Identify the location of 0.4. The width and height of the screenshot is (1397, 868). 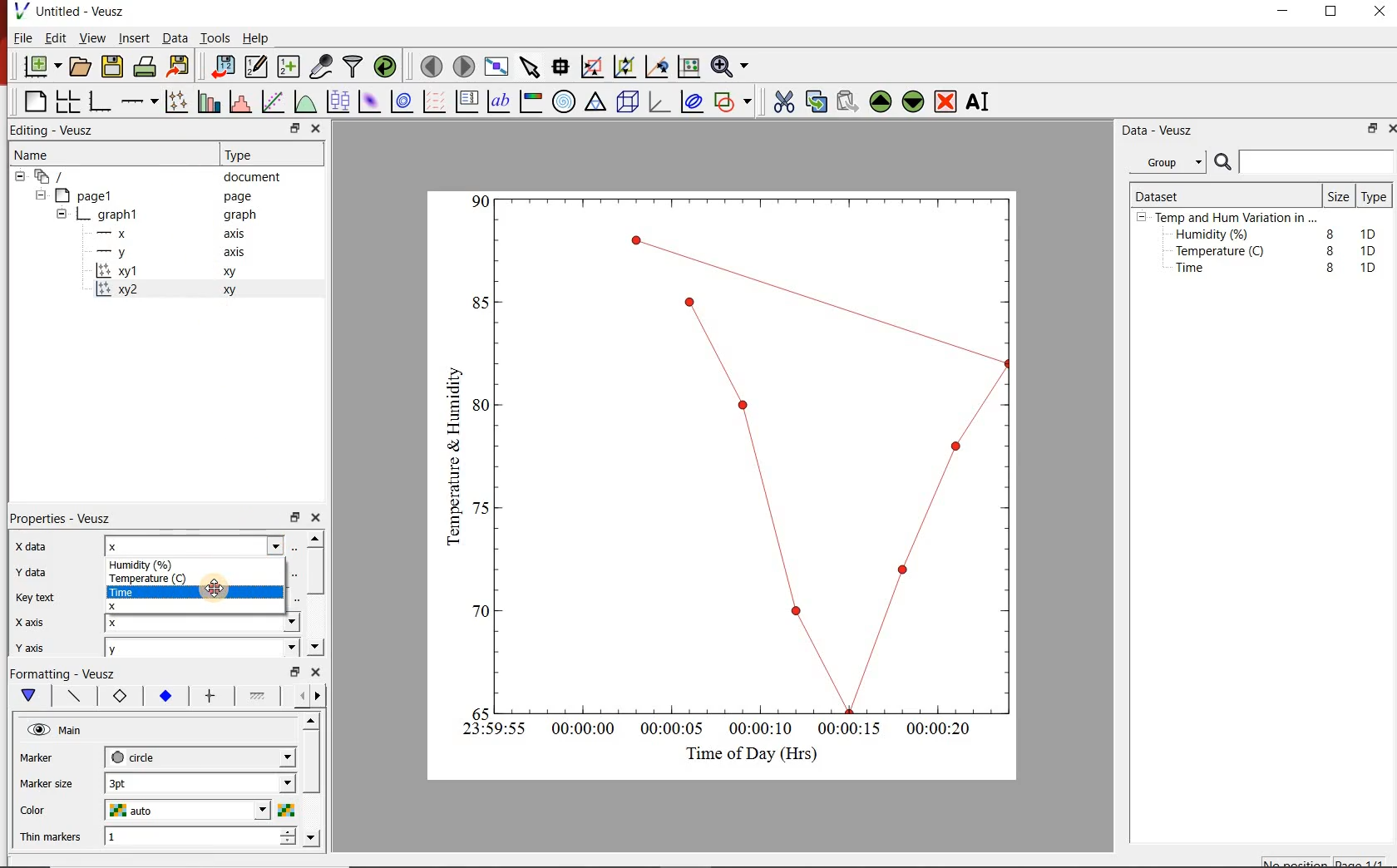
(481, 508).